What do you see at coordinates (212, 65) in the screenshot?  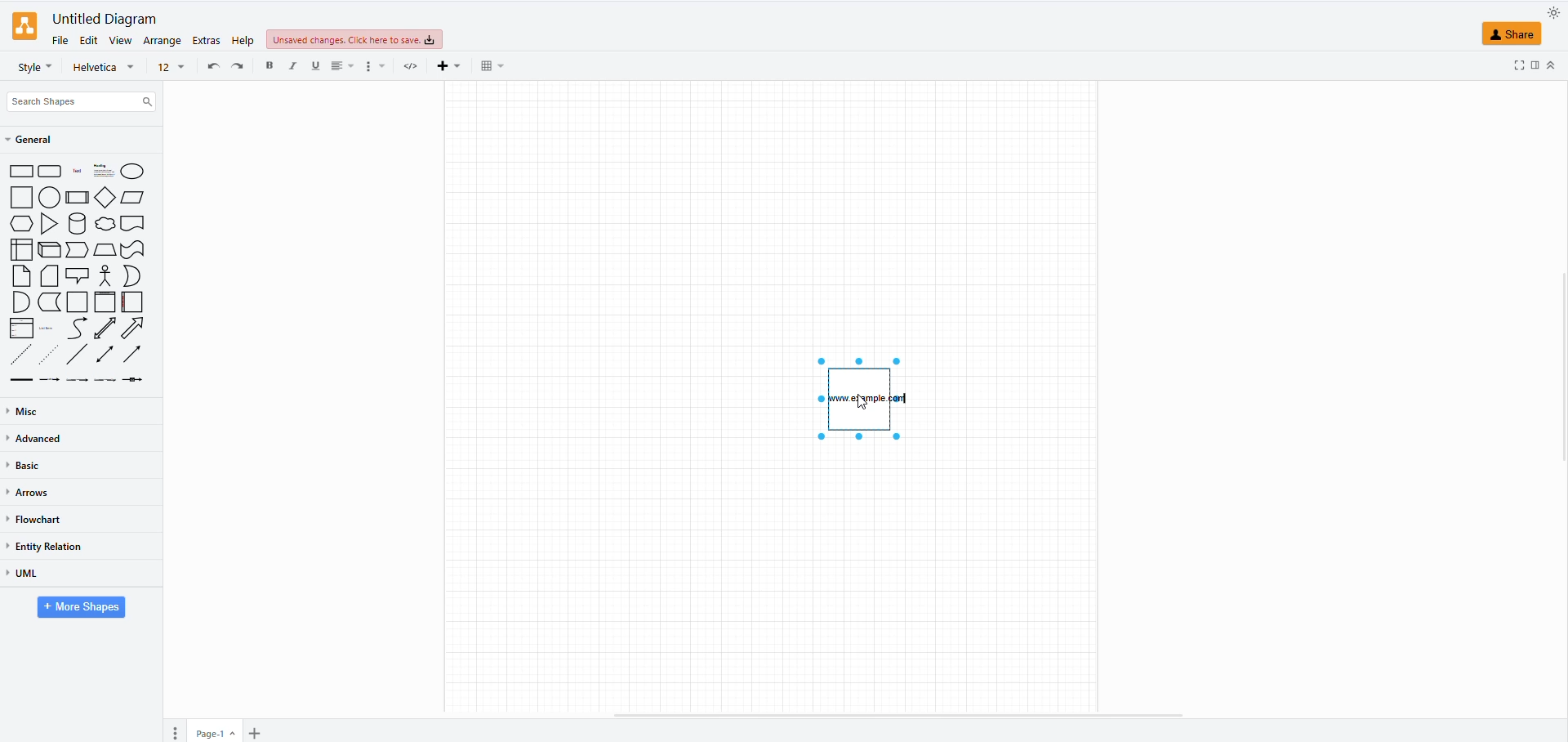 I see `undo` at bounding box center [212, 65].